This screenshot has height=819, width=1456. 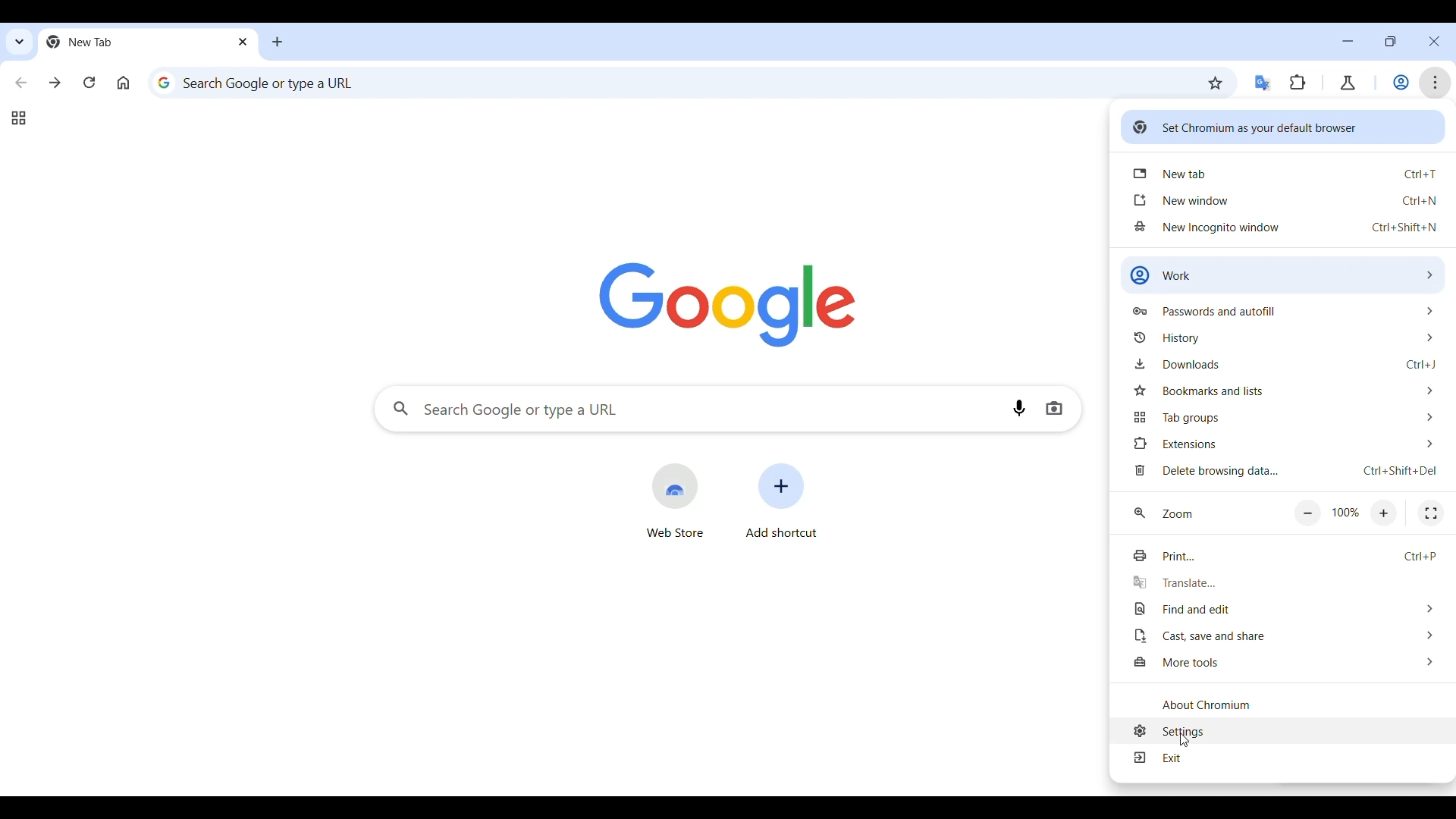 What do you see at coordinates (728, 305) in the screenshot?
I see `Search engine logo` at bounding box center [728, 305].